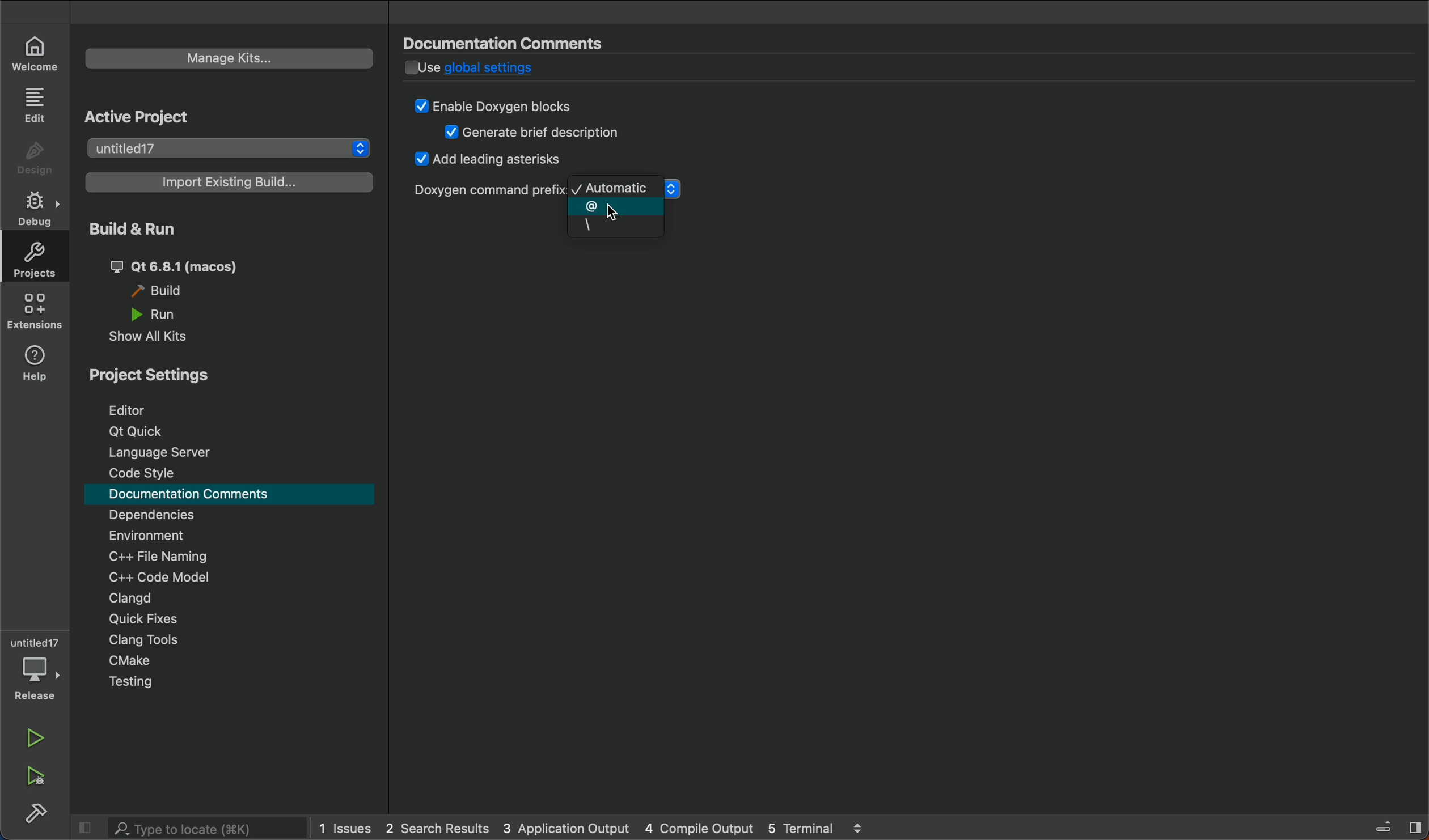 Image resolution: width=1429 pixels, height=840 pixels. What do you see at coordinates (535, 133) in the screenshot?
I see `generate description ` at bounding box center [535, 133].